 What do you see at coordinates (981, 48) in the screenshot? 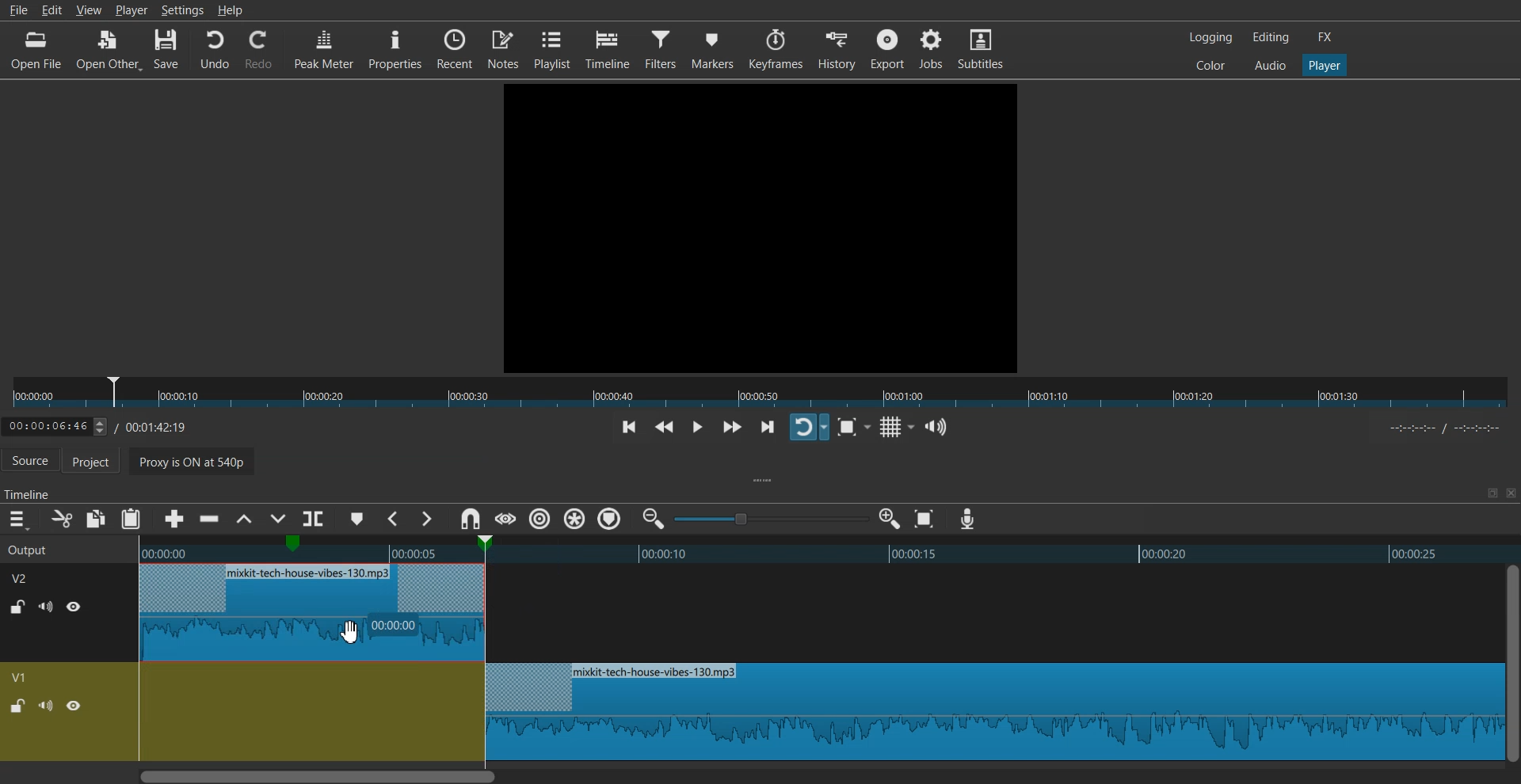
I see `Subtitles` at bounding box center [981, 48].